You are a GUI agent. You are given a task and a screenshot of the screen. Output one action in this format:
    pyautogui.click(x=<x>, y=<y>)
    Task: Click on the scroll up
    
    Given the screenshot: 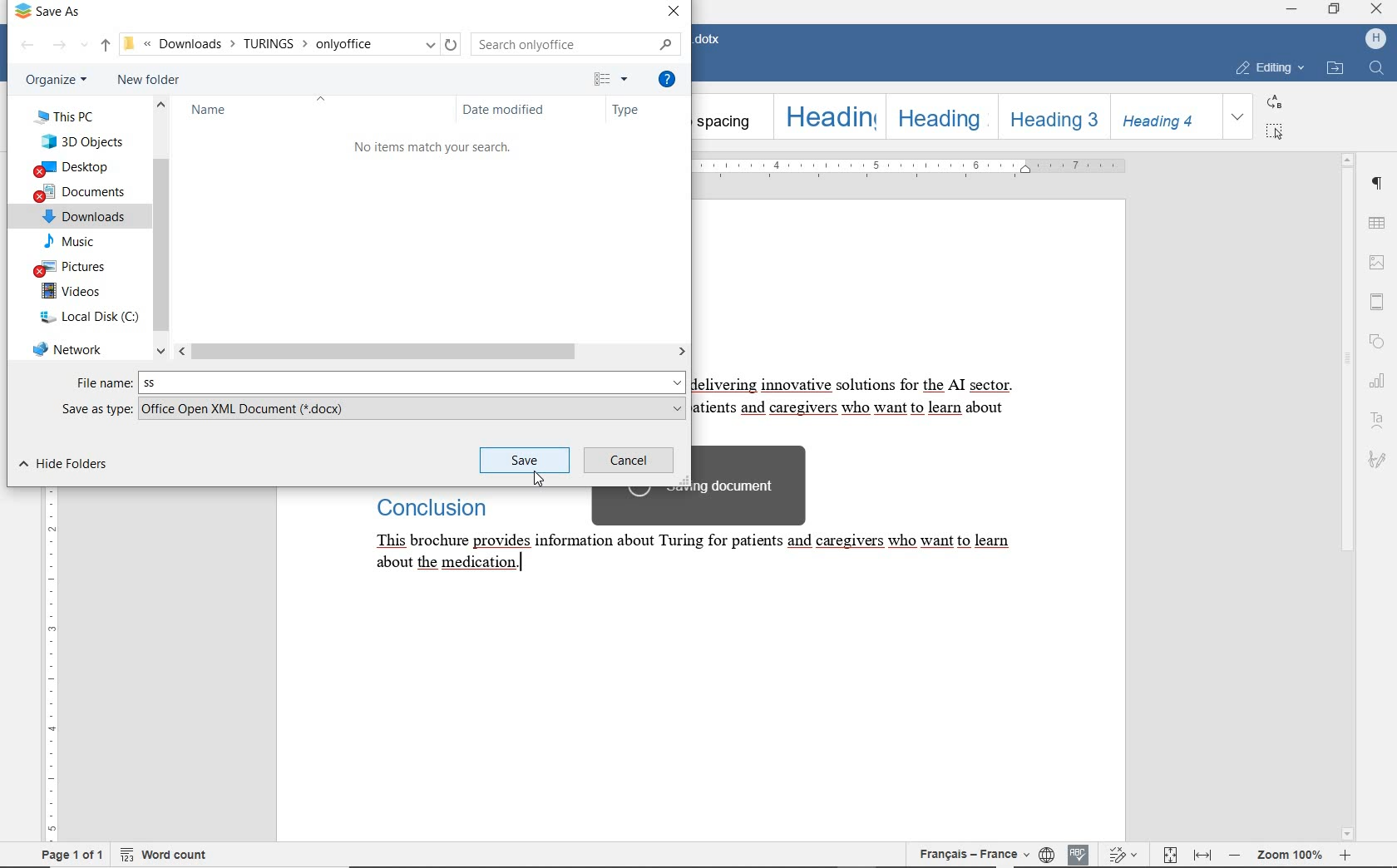 What is the action you would take?
    pyautogui.click(x=162, y=107)
    